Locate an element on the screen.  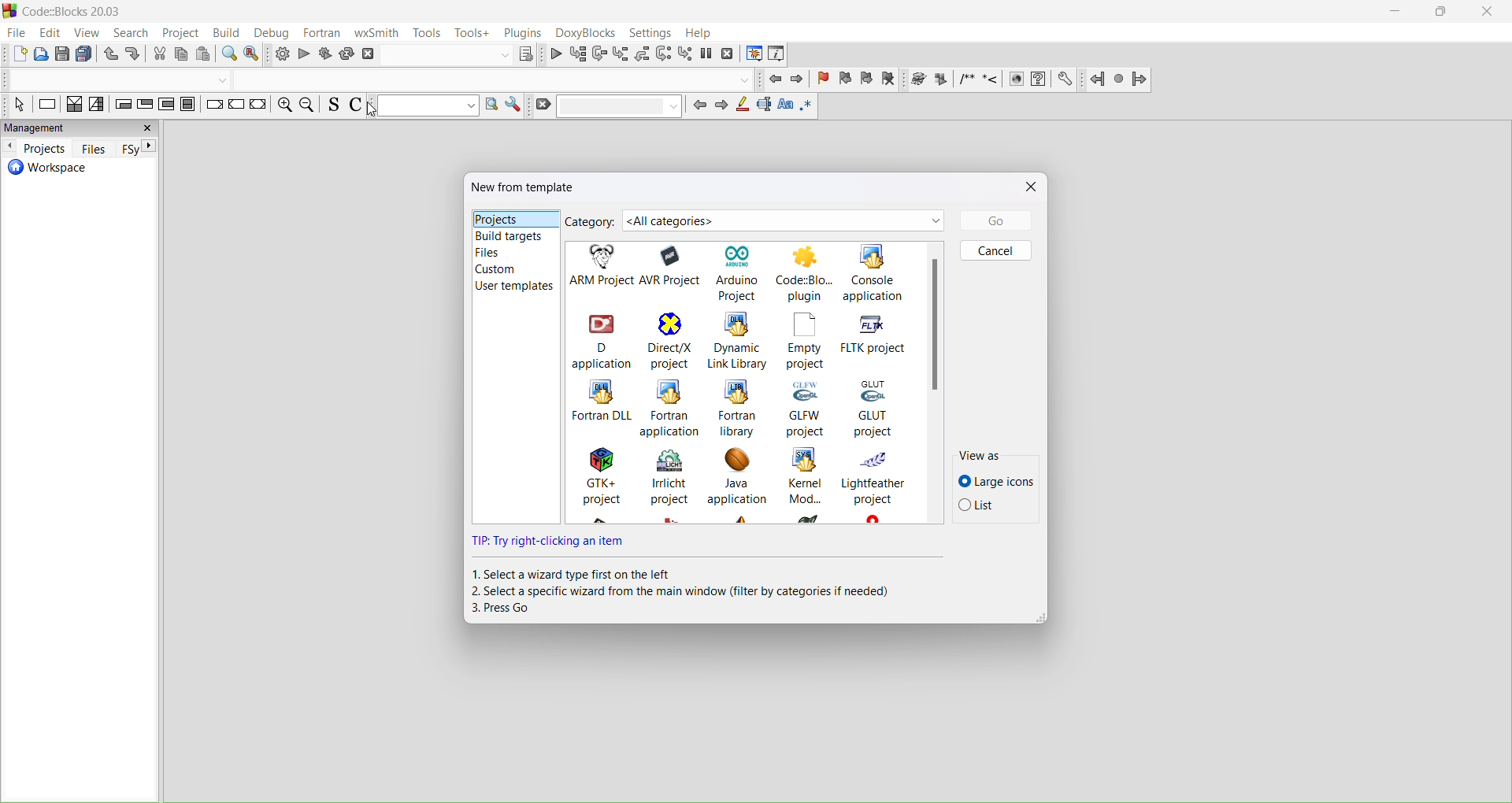
view as is located at coordinates (995, 457).